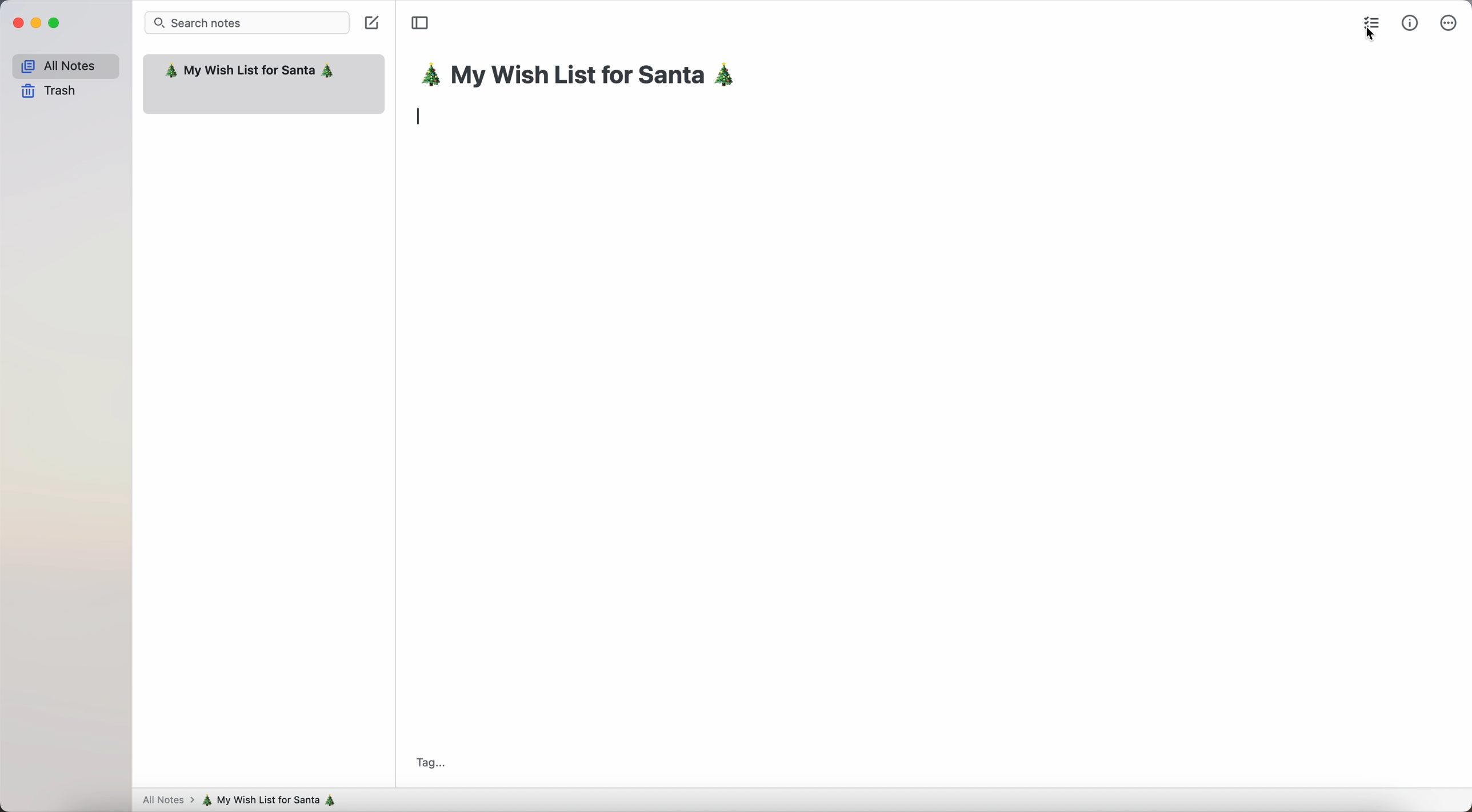  Describe the element at coordinates (1448, 22) in the screenshot. I see `more options` at that location.